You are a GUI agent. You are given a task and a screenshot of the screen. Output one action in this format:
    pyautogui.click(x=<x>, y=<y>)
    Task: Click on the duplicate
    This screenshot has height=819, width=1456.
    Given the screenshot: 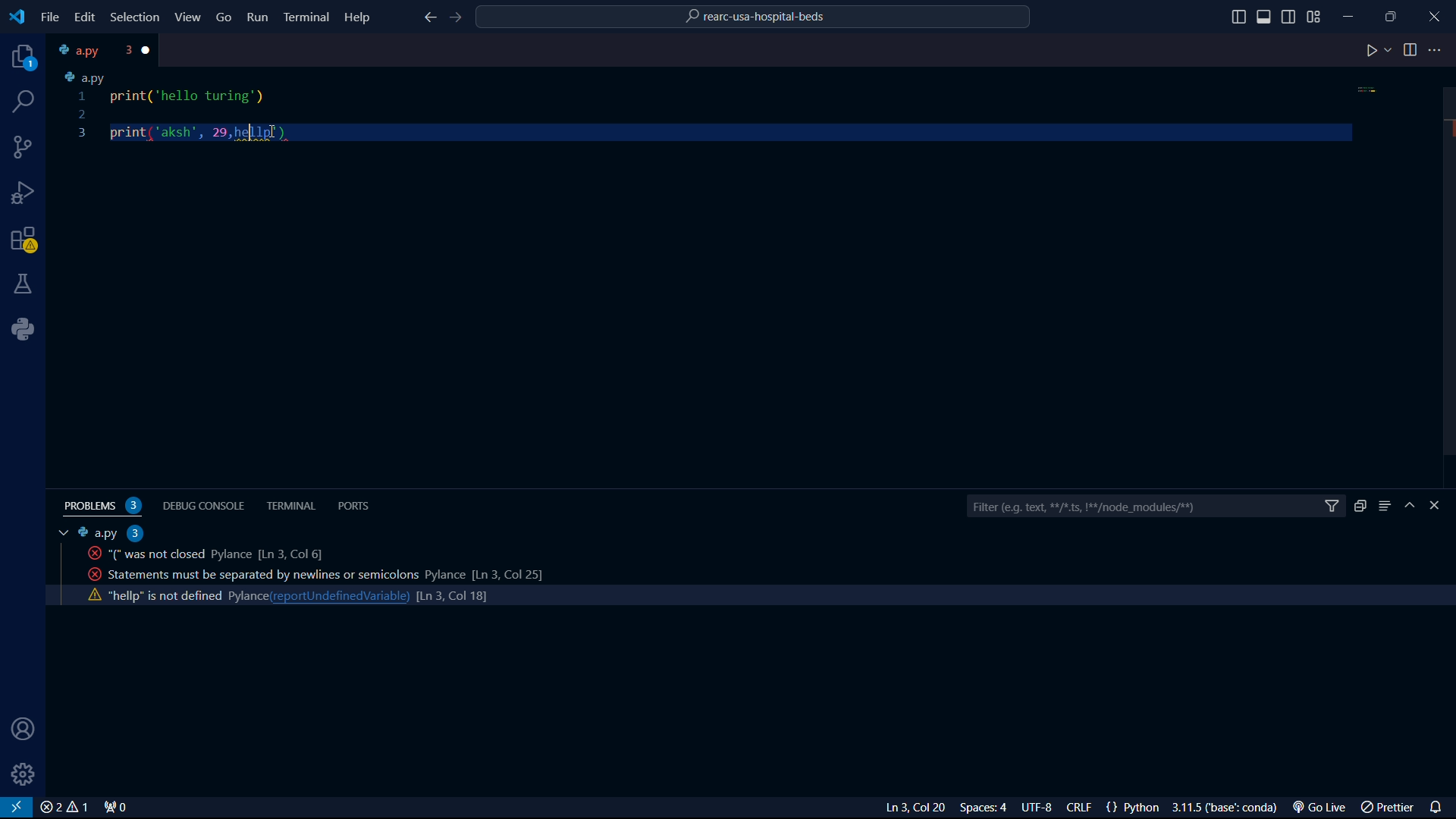 What is the action you would take?
    pyautogui.click(x=1360, y=506)
    